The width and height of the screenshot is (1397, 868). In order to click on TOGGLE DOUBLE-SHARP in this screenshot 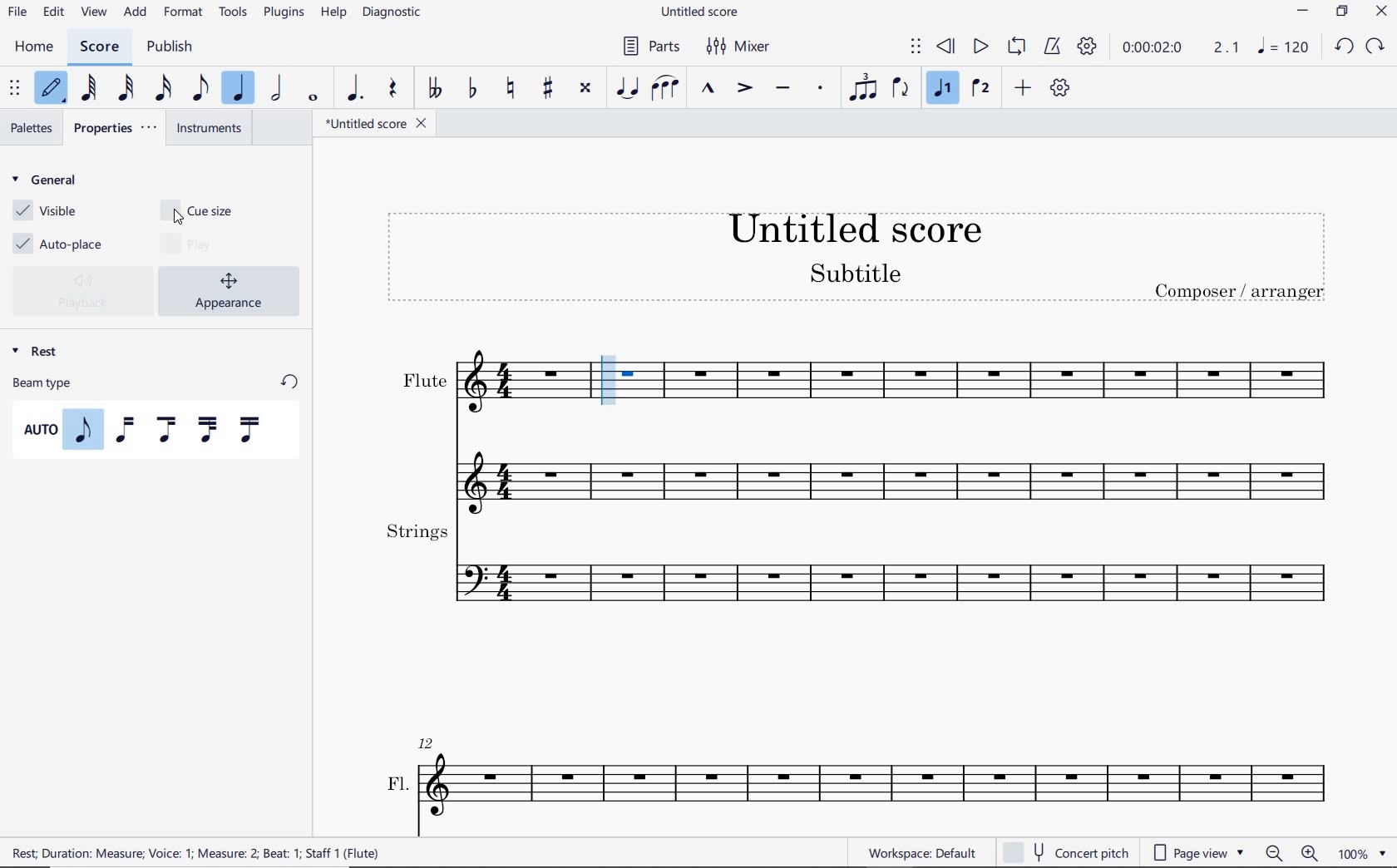, I will do `click(585, 86)`.